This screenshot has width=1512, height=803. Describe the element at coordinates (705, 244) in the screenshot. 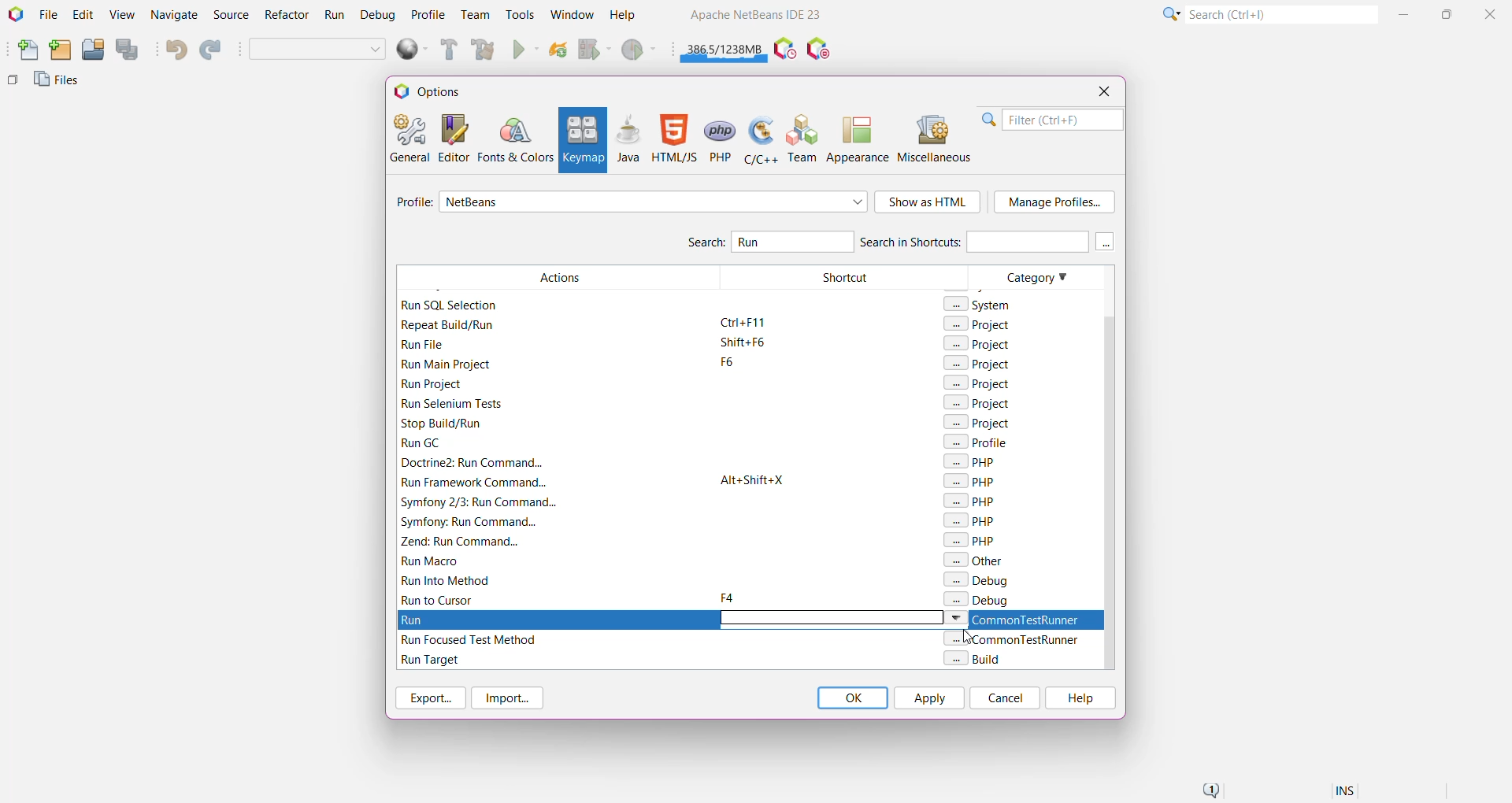

I see `Search` at that location.